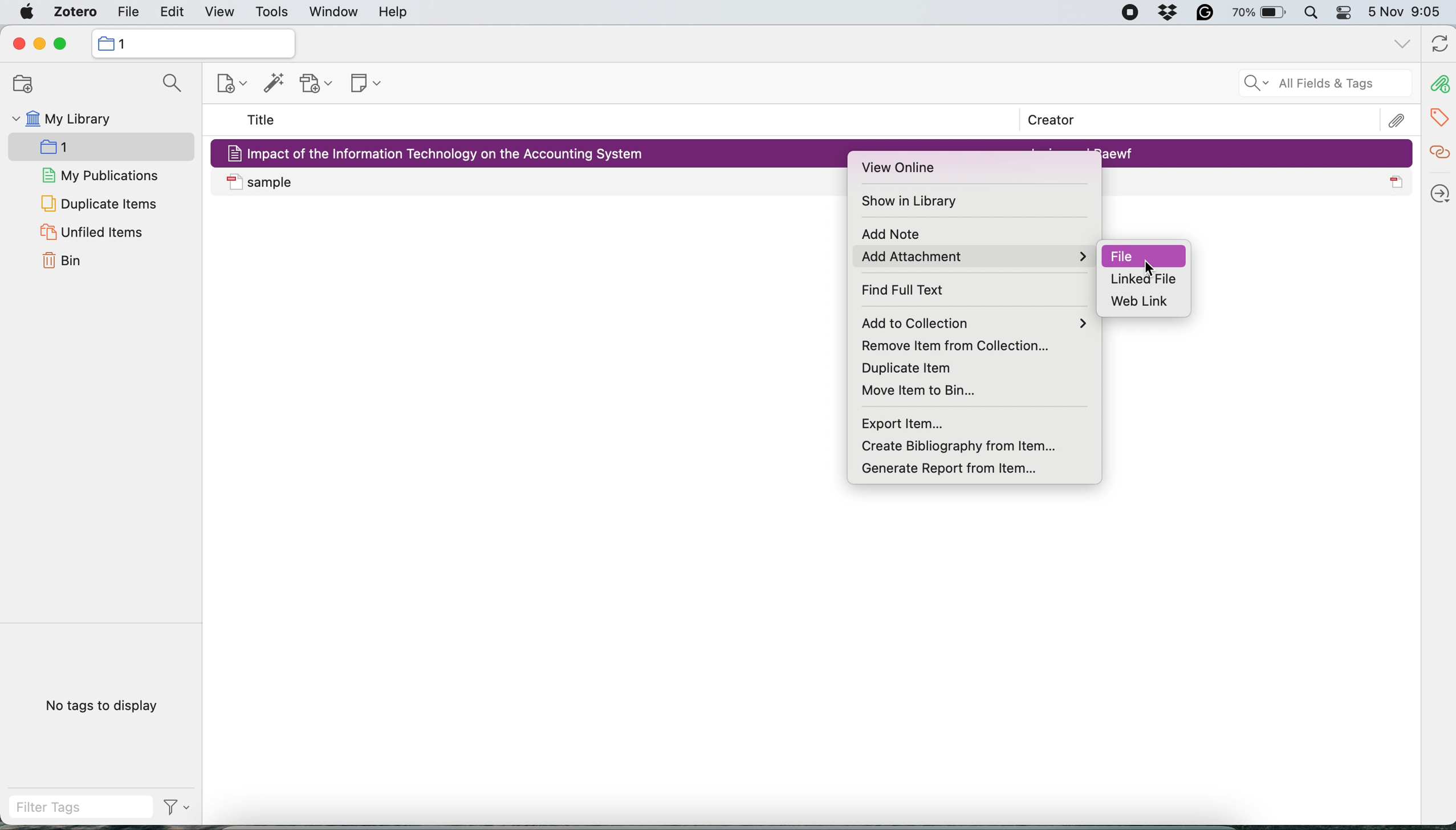 This screenshot has height=830, width=1456. What do you see at coordinates (972, 257) in the screenshot?
I see `add attachment` at bounding box center [972, 257].